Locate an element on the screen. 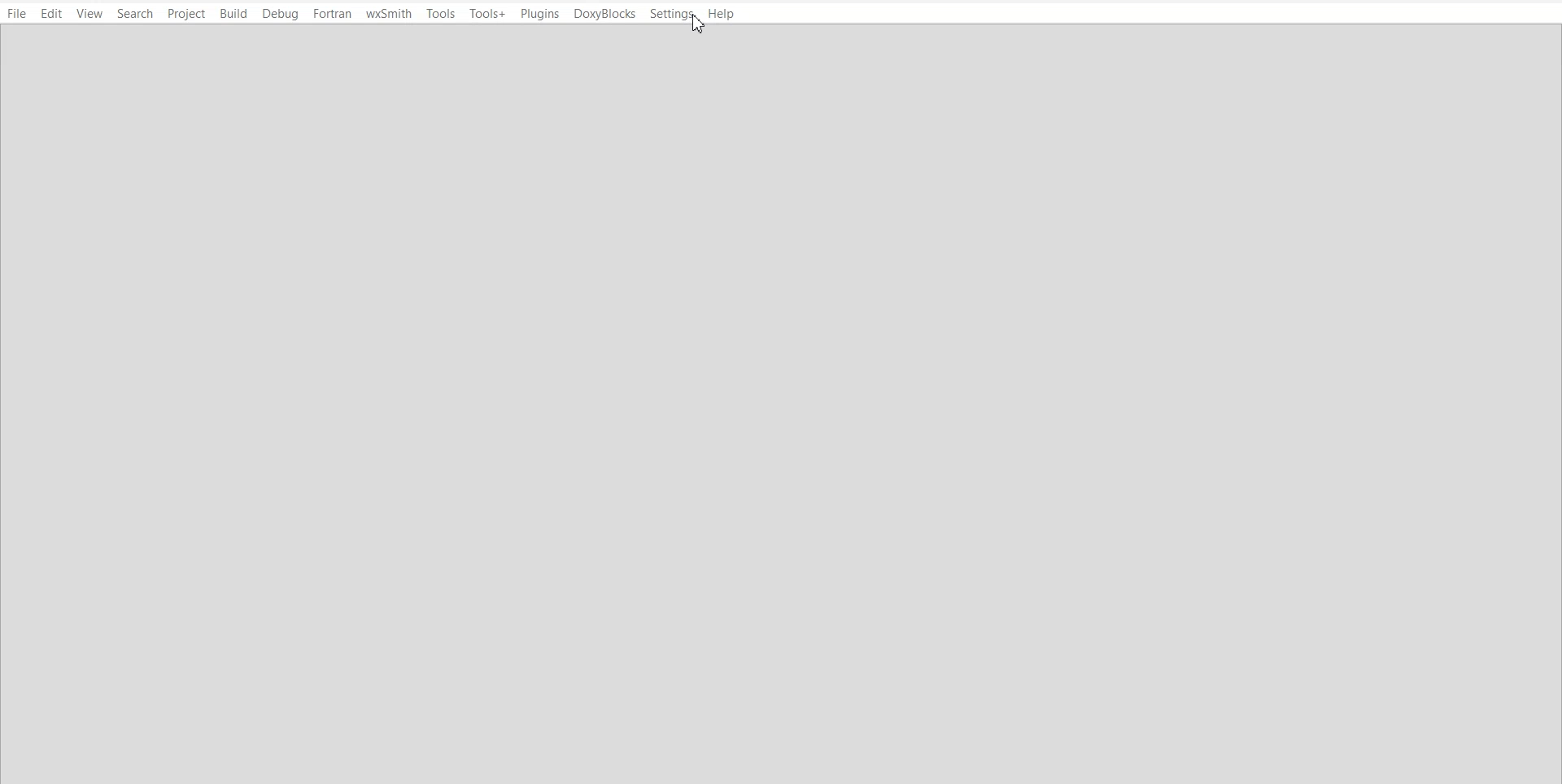 Image resolution: width=1562 pixels, height=784 pixels. Settings is located at coordinates (672, 14).